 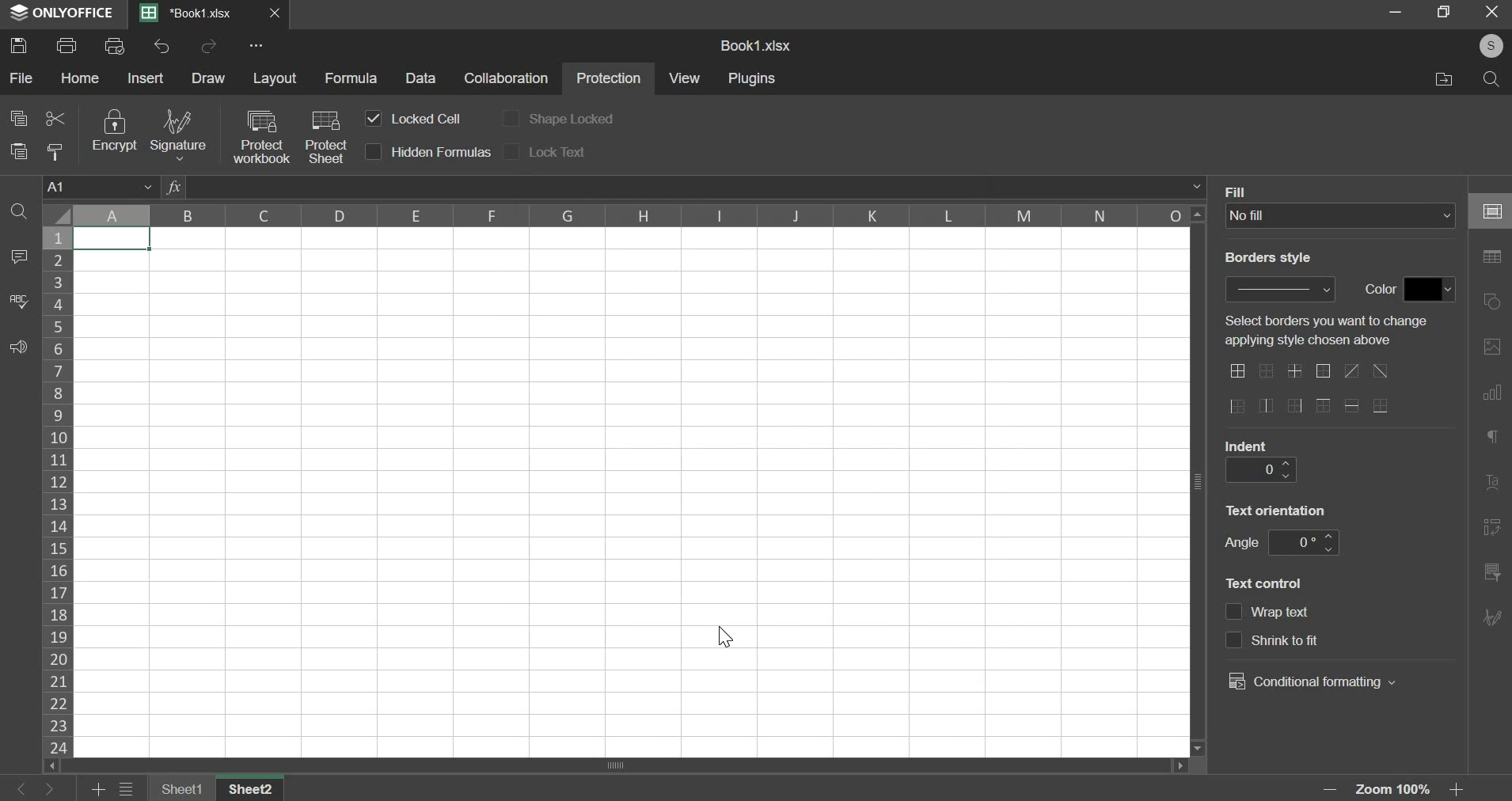 What do you see at coordinates (18, 117) in the screenshot?
I see `copy` at bounding box center [18, 117].